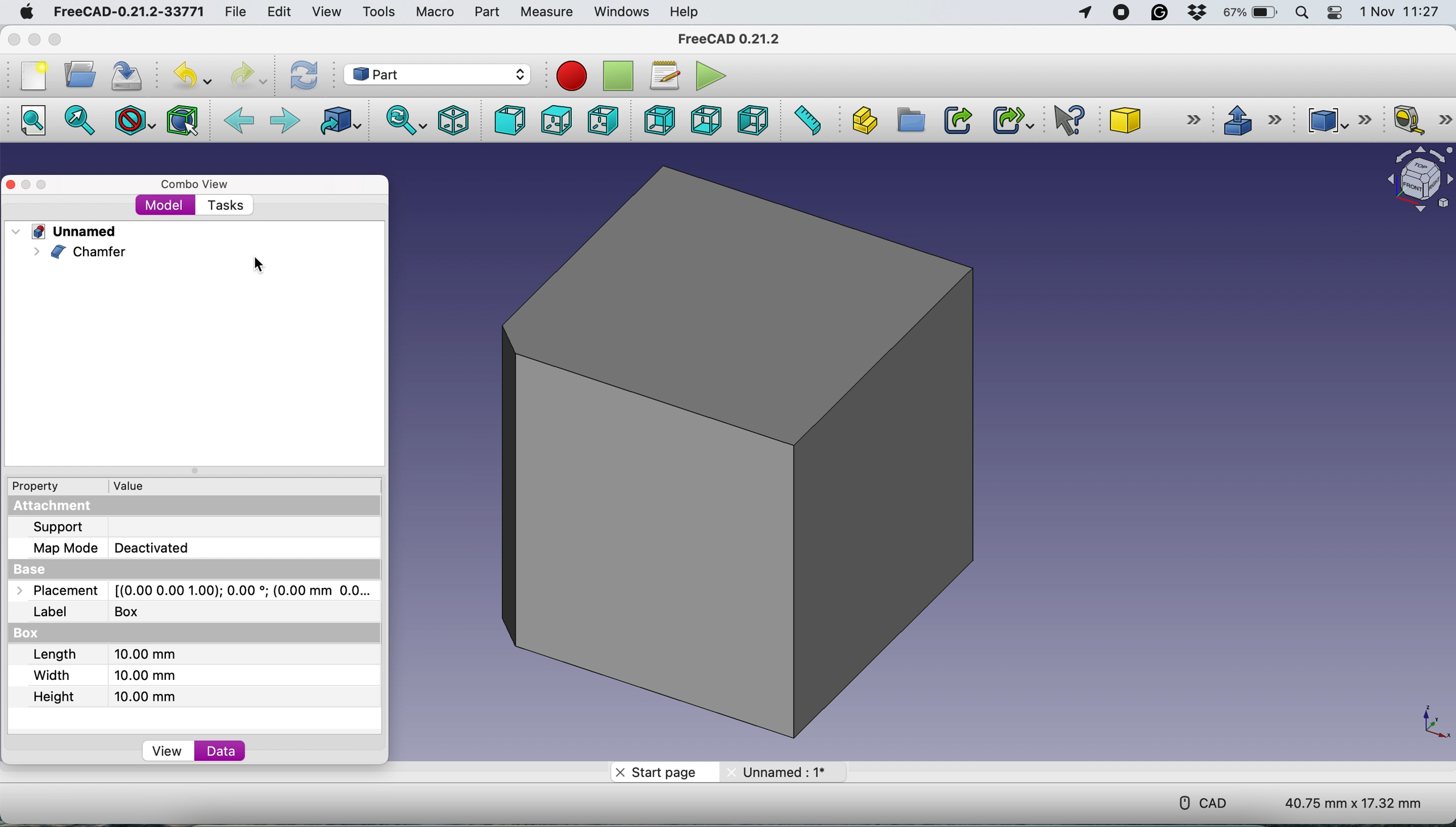 This screenshot has height=827, width=1456. I want to click on view, so click(326, 12).